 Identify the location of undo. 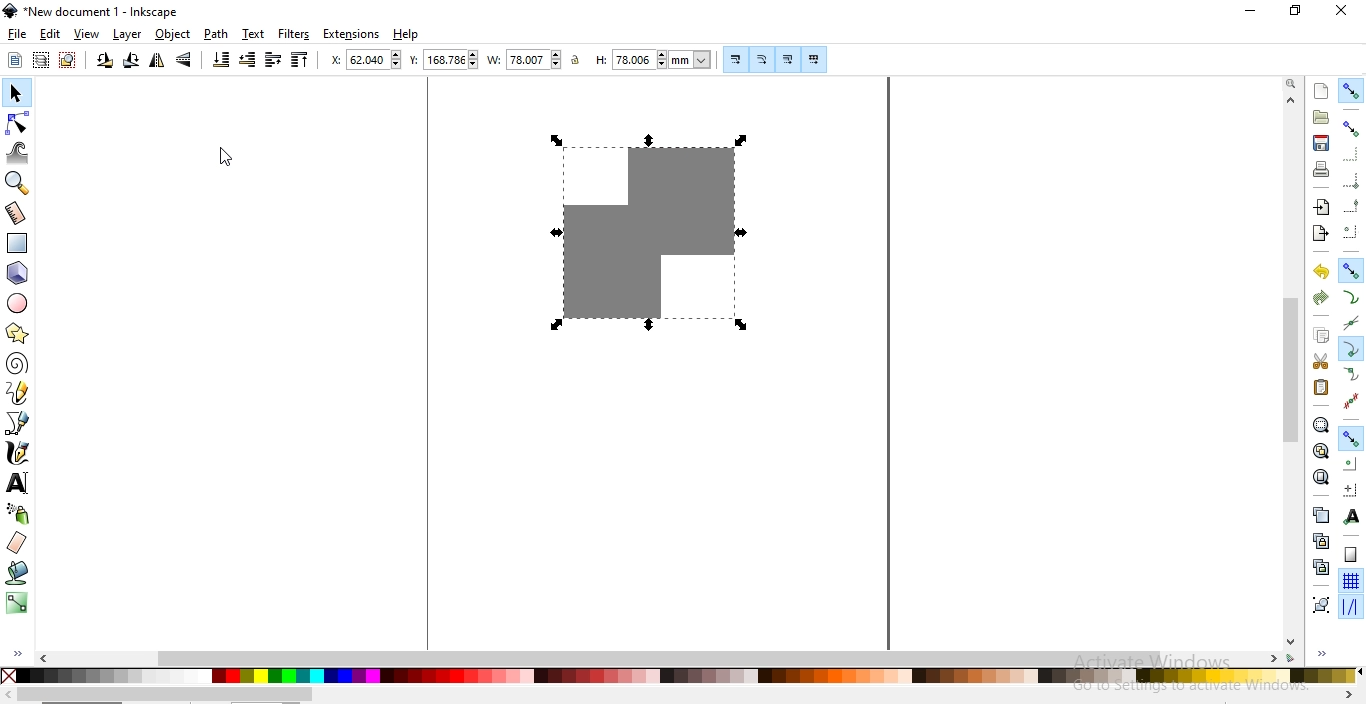
(1321, 272).